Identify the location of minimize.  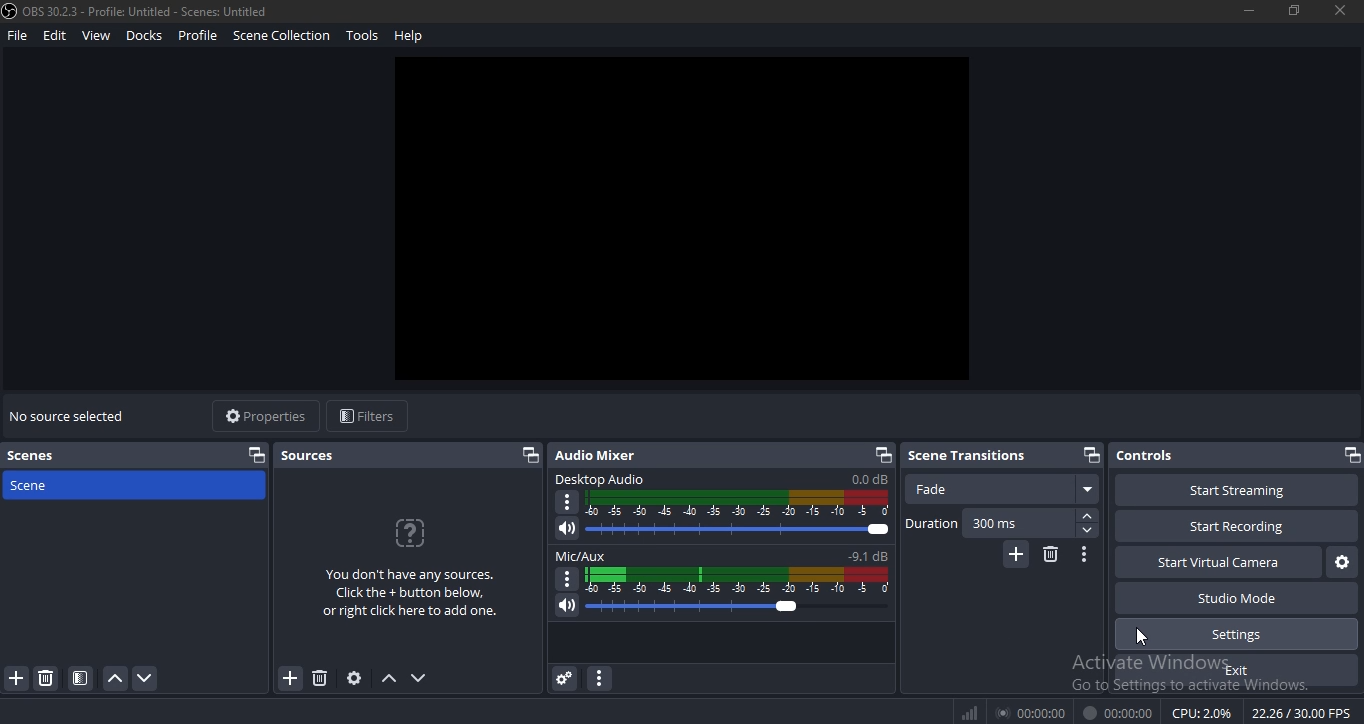
(1248, 10).